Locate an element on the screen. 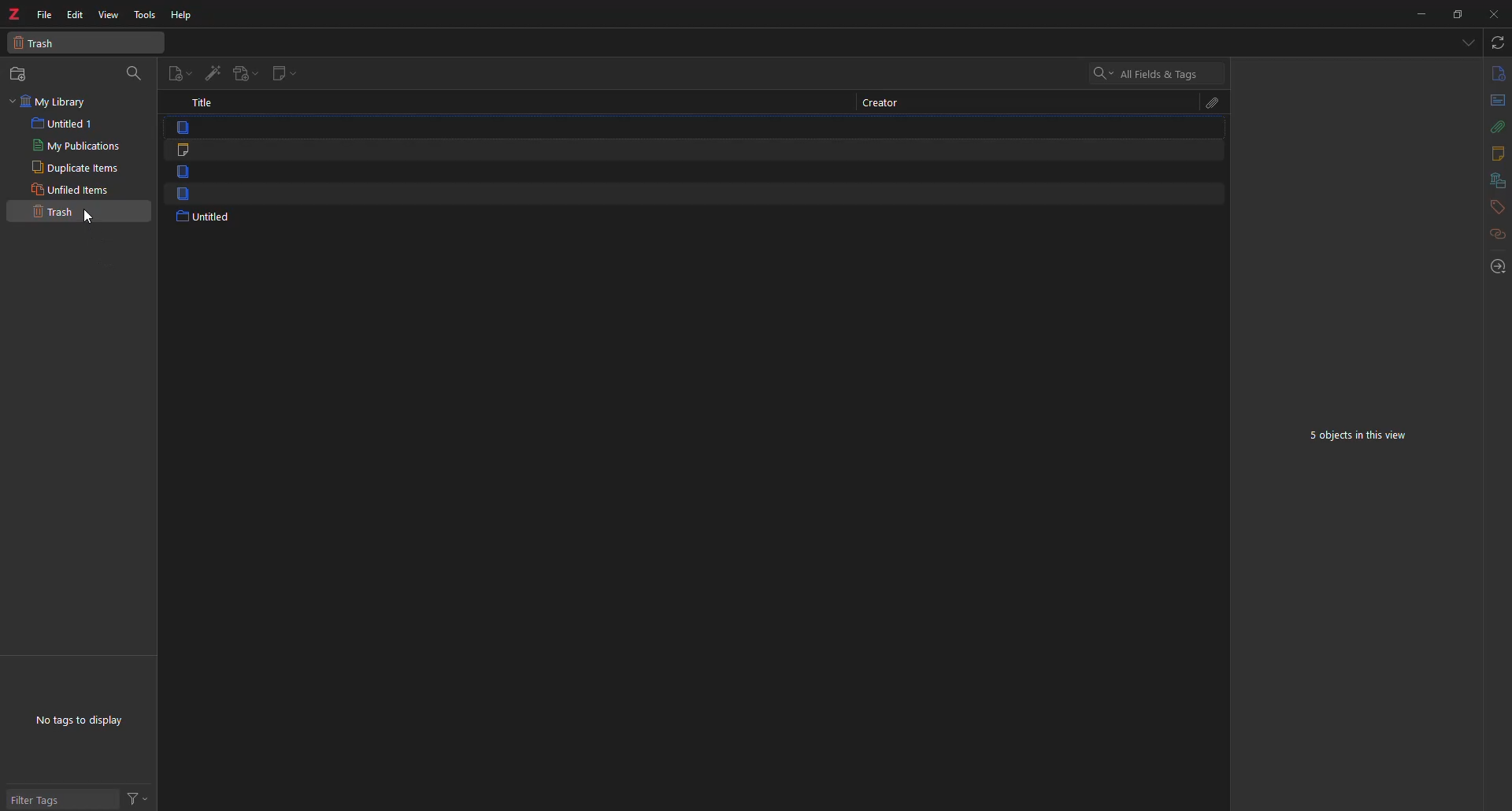  close is located at coordinates (1495, 16).